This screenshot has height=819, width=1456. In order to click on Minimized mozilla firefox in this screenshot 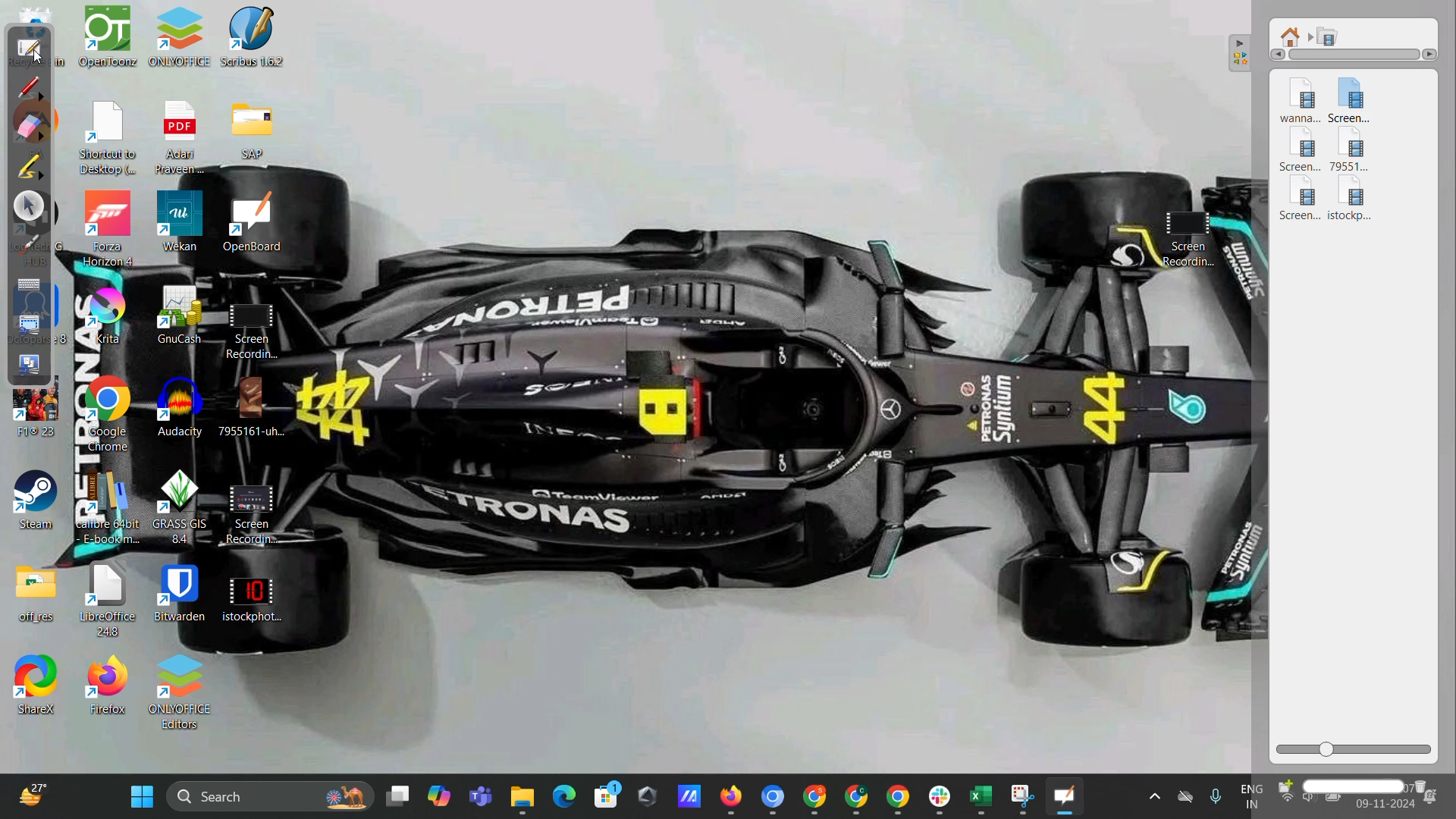, I will do `click(736, 797)`.